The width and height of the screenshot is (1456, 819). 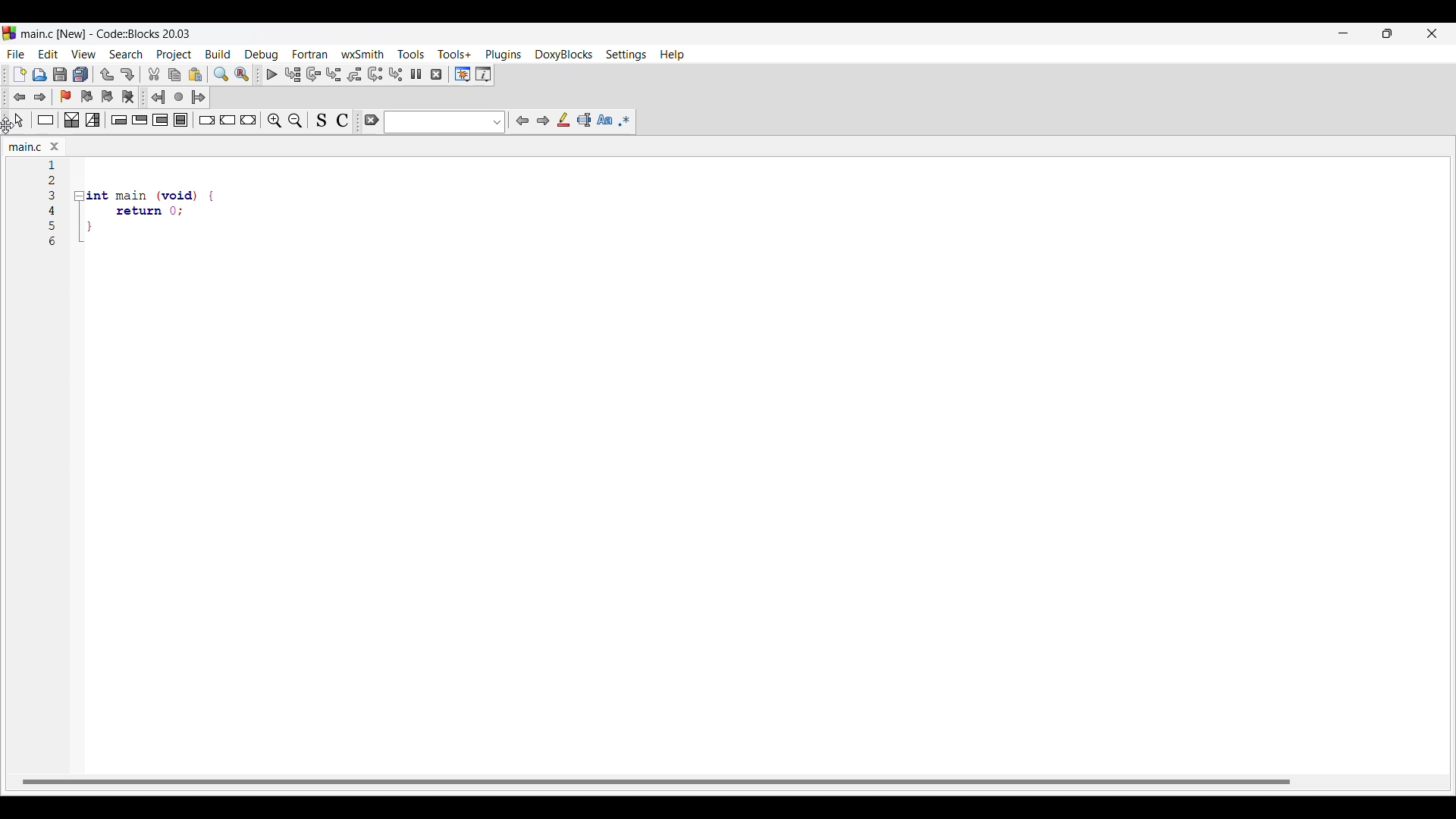 I want to click on Toggle source, so click(x=322, y=122).